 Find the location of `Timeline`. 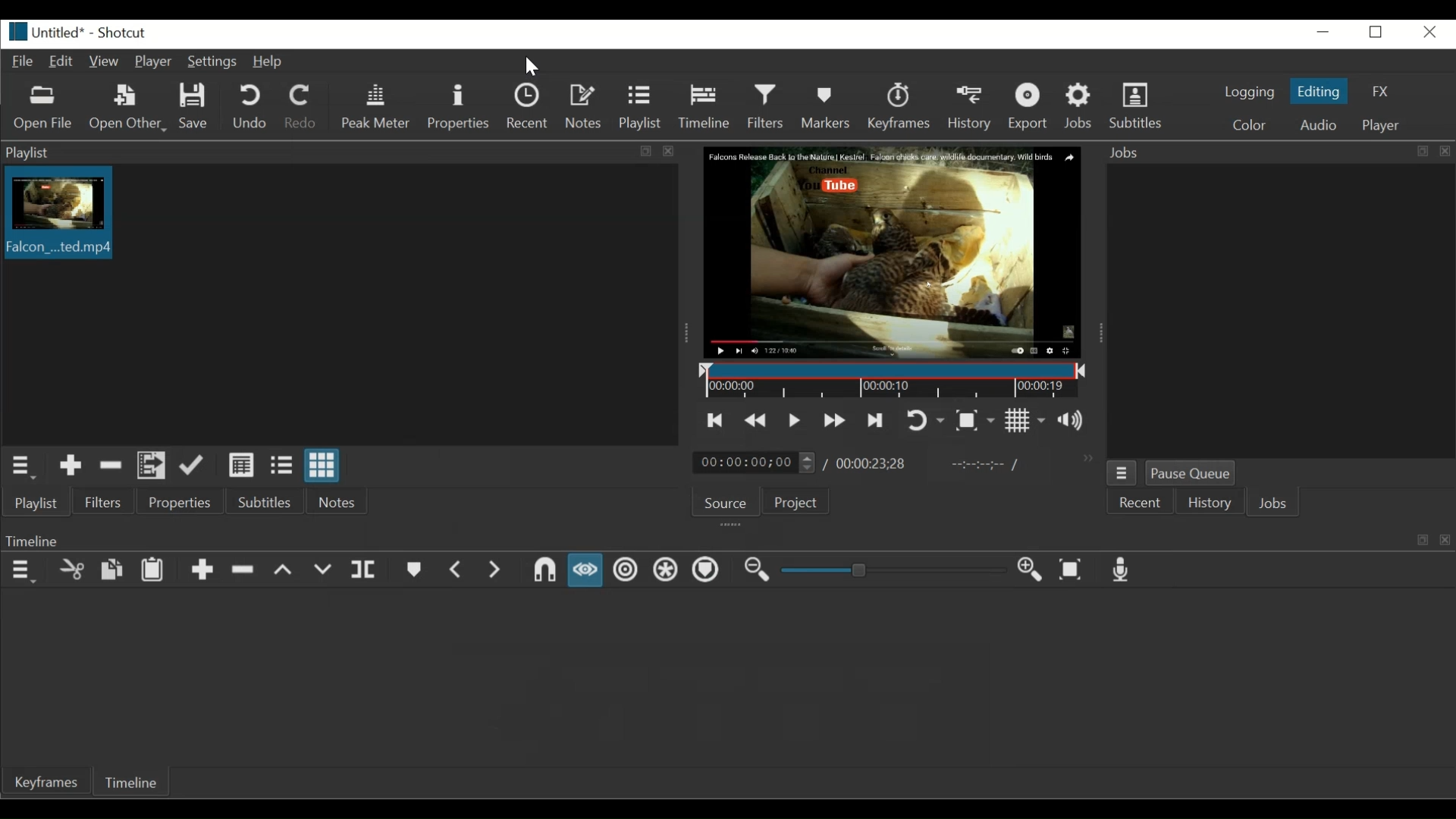

Timeline is located at coordinates (889, 379).